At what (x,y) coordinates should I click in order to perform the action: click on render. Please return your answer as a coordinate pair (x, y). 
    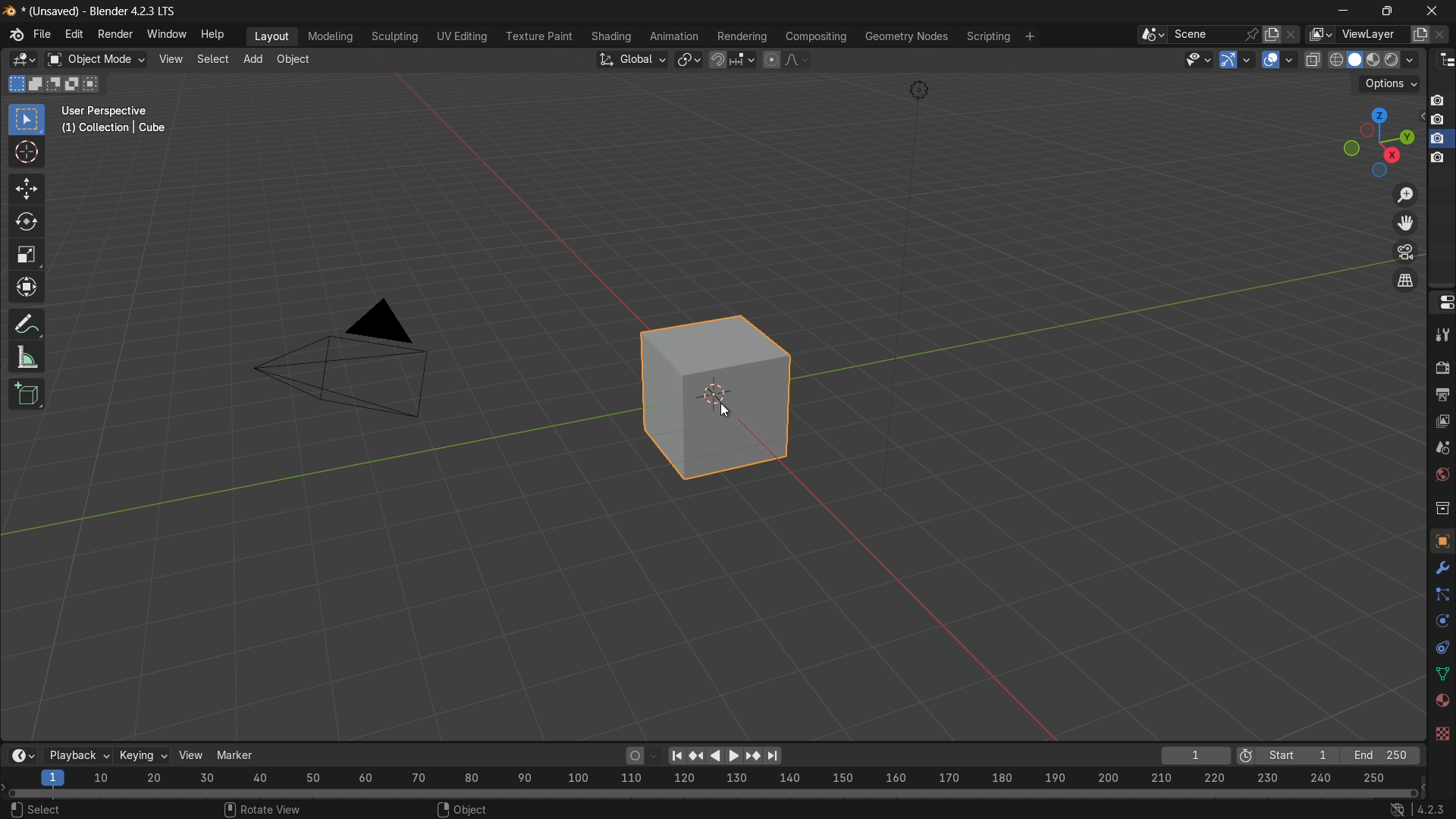
    Looking at the image, I should click on (1442, 368).